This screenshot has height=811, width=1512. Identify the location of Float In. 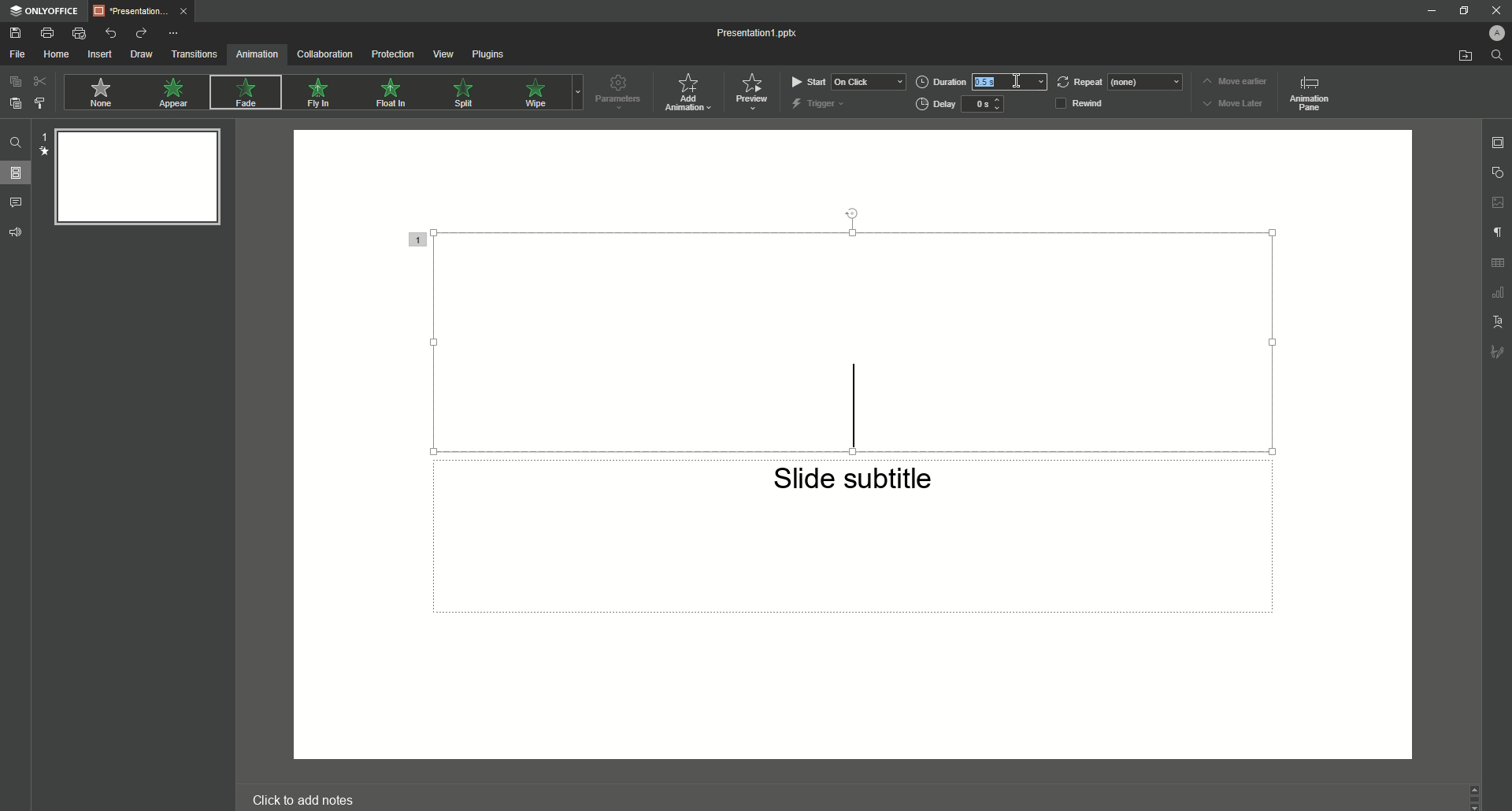
(393, 94).